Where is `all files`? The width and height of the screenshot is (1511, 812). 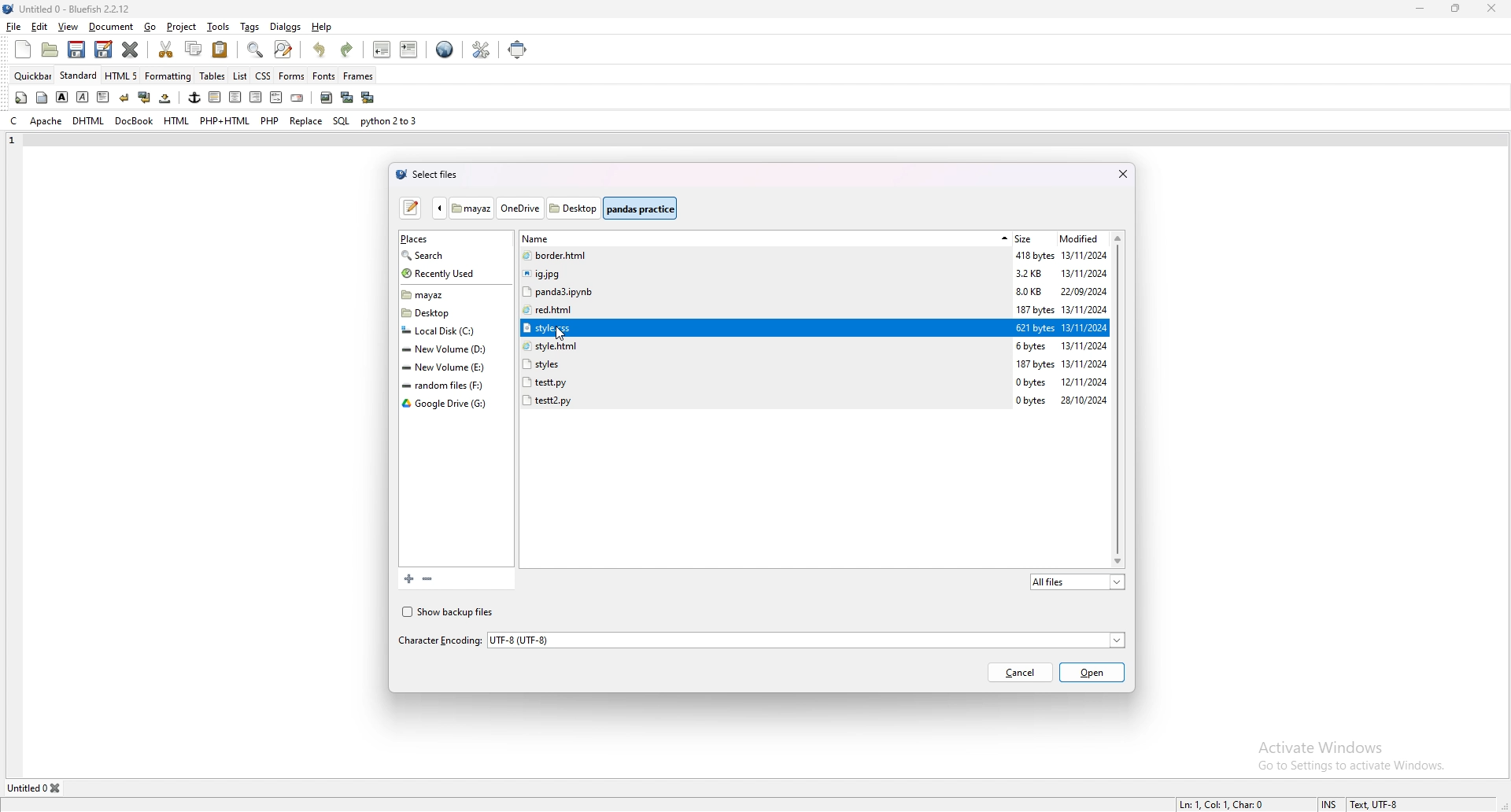
all files is located at coordinates (1078, 581).